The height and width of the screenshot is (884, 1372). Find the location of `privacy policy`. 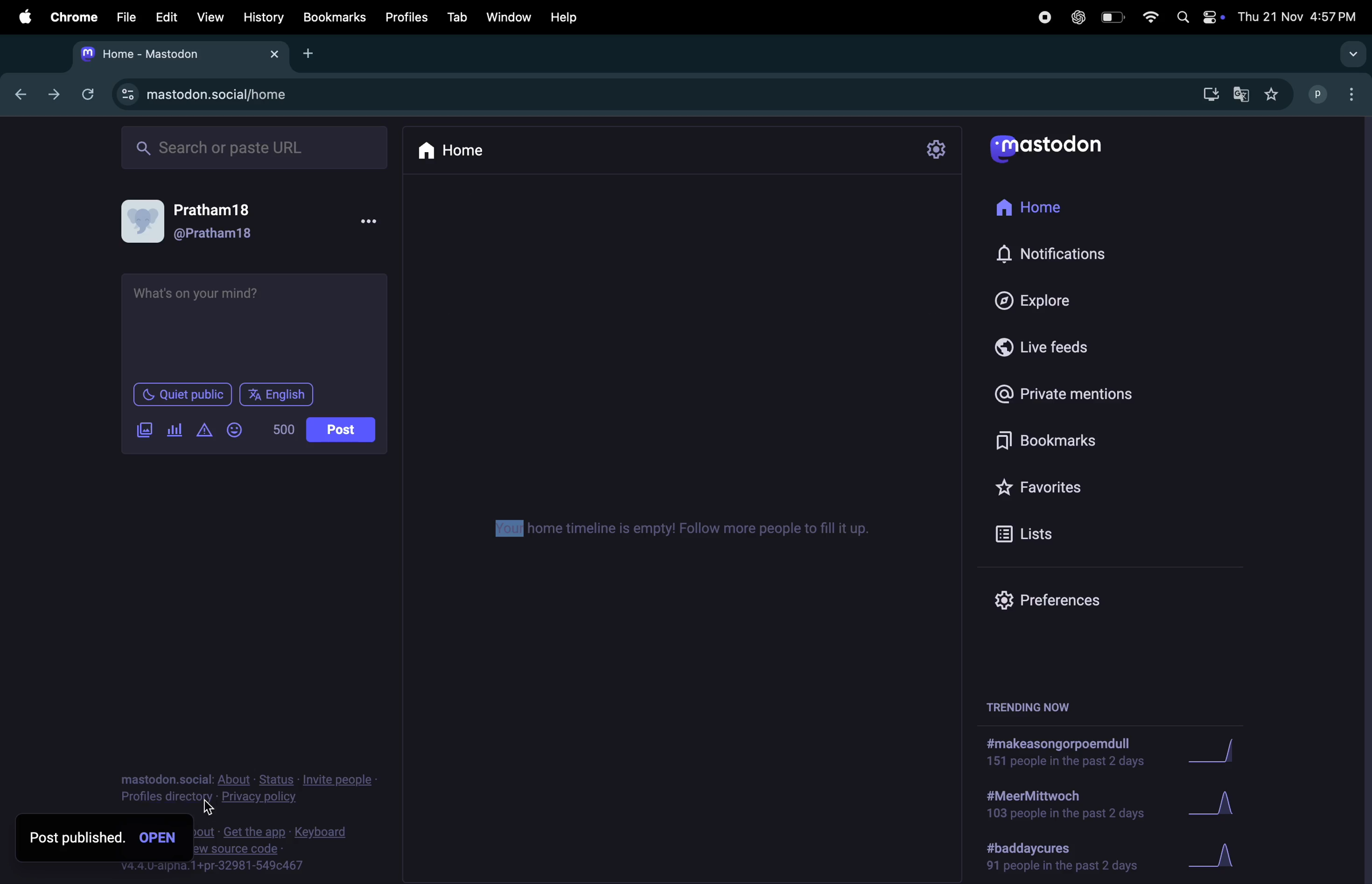

privacy policy is located at coordinates (249, 790).